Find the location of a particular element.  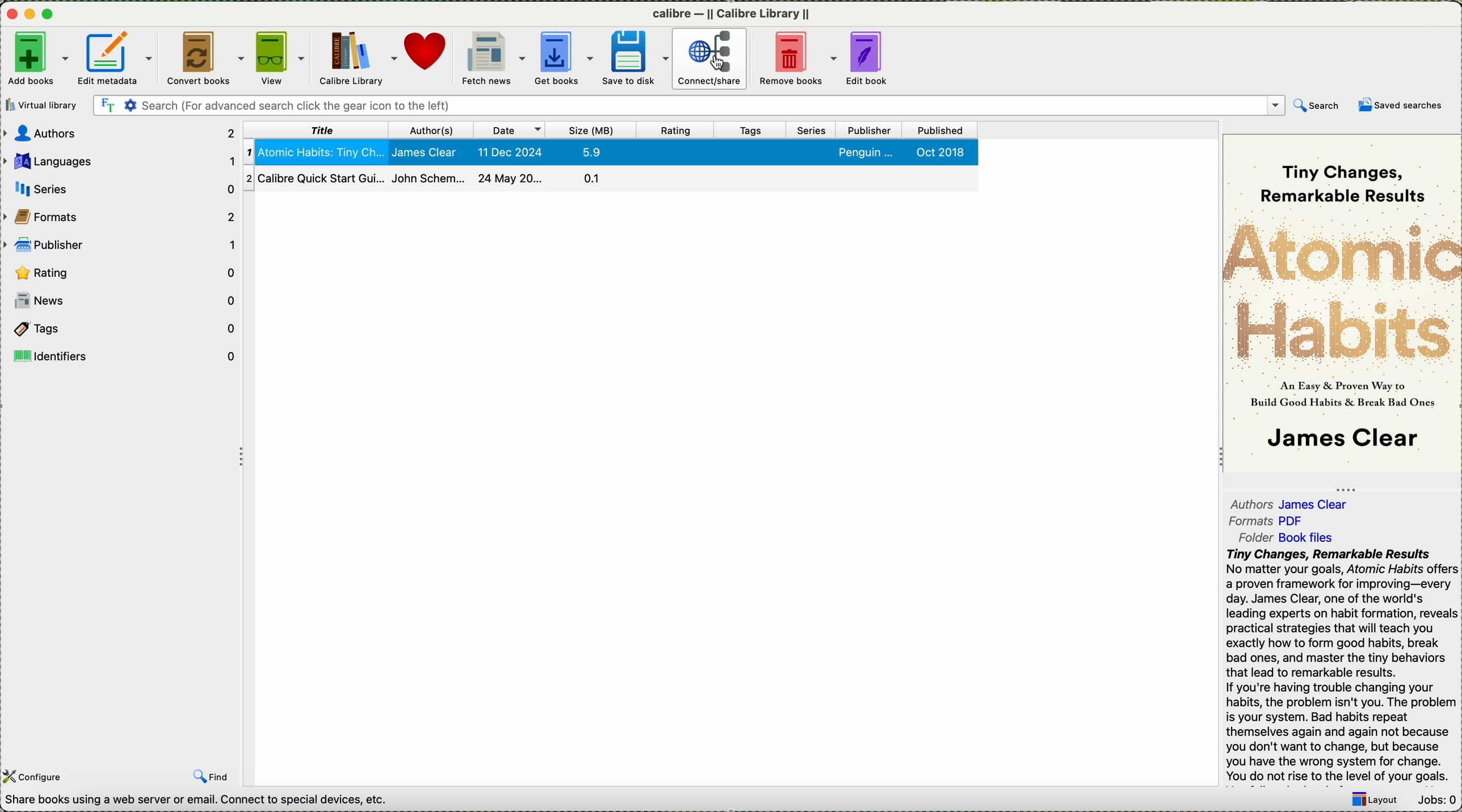

click on connect/share is located at coordinates (710, 60).